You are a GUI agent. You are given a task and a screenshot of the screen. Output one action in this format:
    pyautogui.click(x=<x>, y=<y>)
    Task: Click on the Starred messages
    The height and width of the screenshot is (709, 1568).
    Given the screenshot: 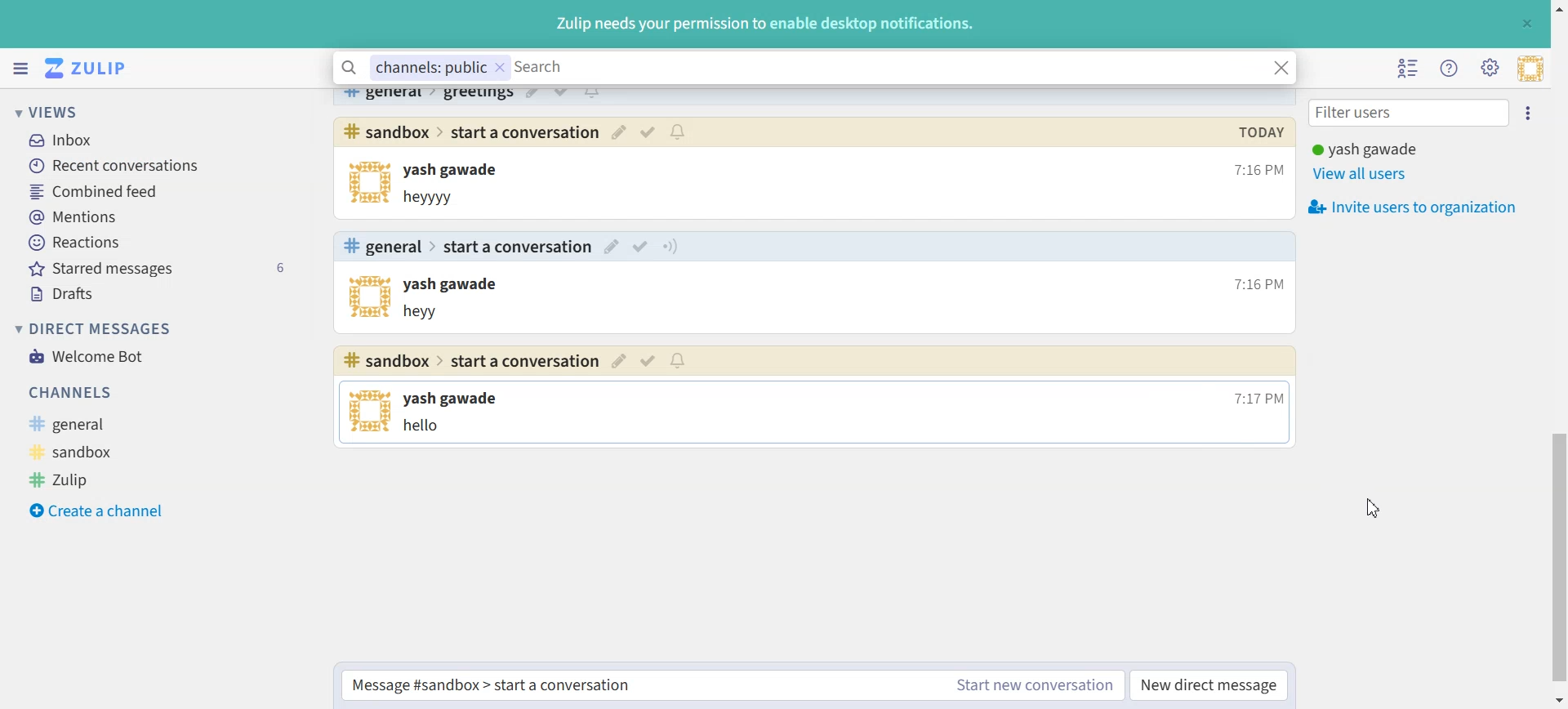 What is the action you would take?
    pyautogui.click(x=163, y=267)
    